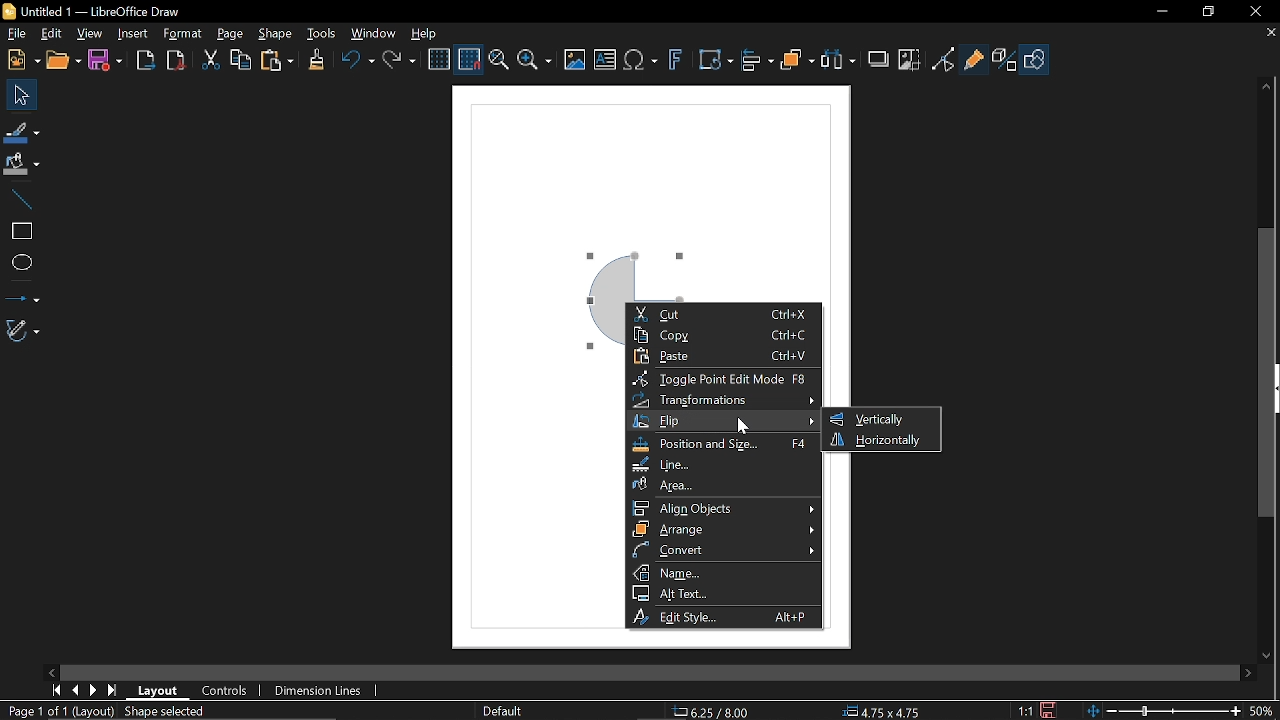 This screenshot has height=720, width=1280. I want to click on Save, so click(109, 60).